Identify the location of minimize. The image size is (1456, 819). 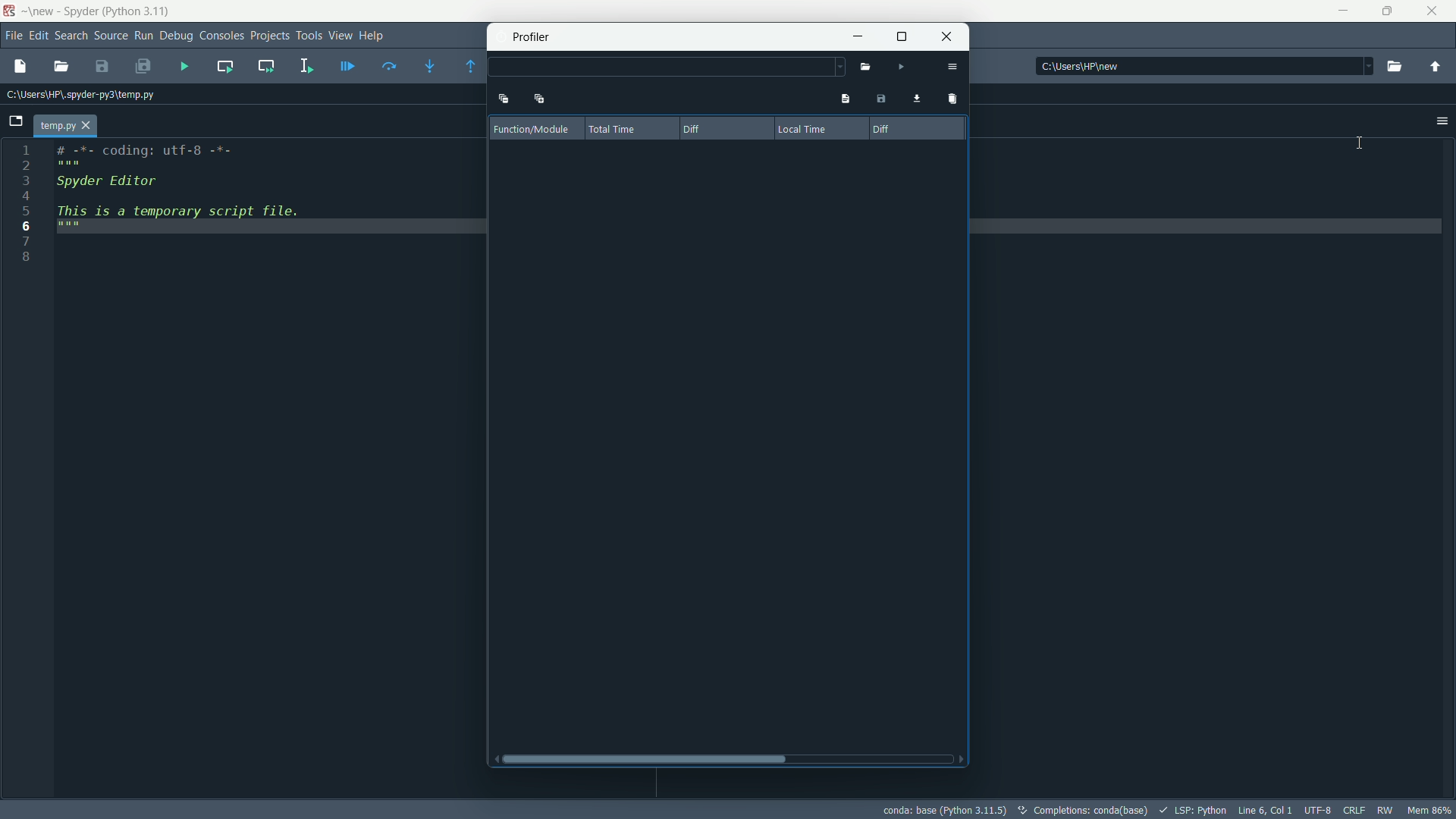
(859, 36).